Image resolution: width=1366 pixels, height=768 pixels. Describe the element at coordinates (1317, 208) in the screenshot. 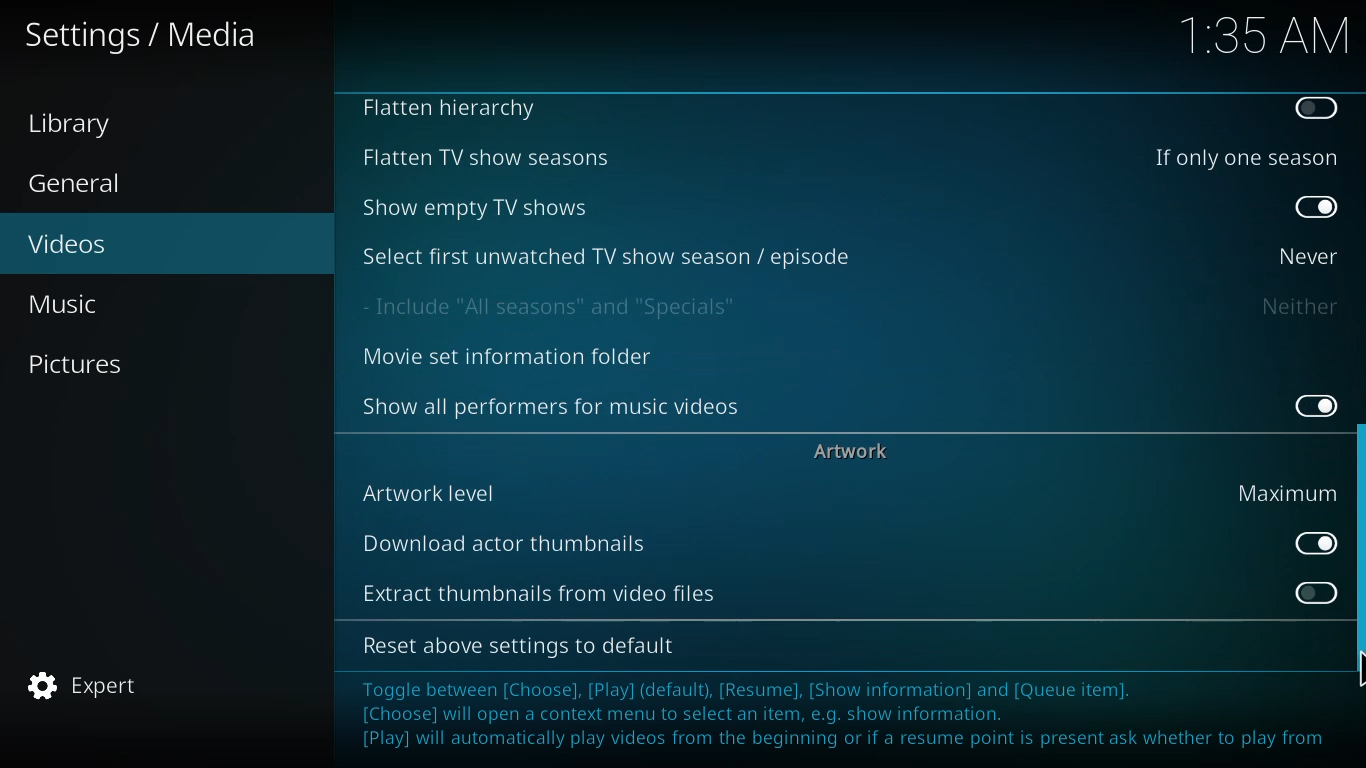

I see `enabled` at that location.